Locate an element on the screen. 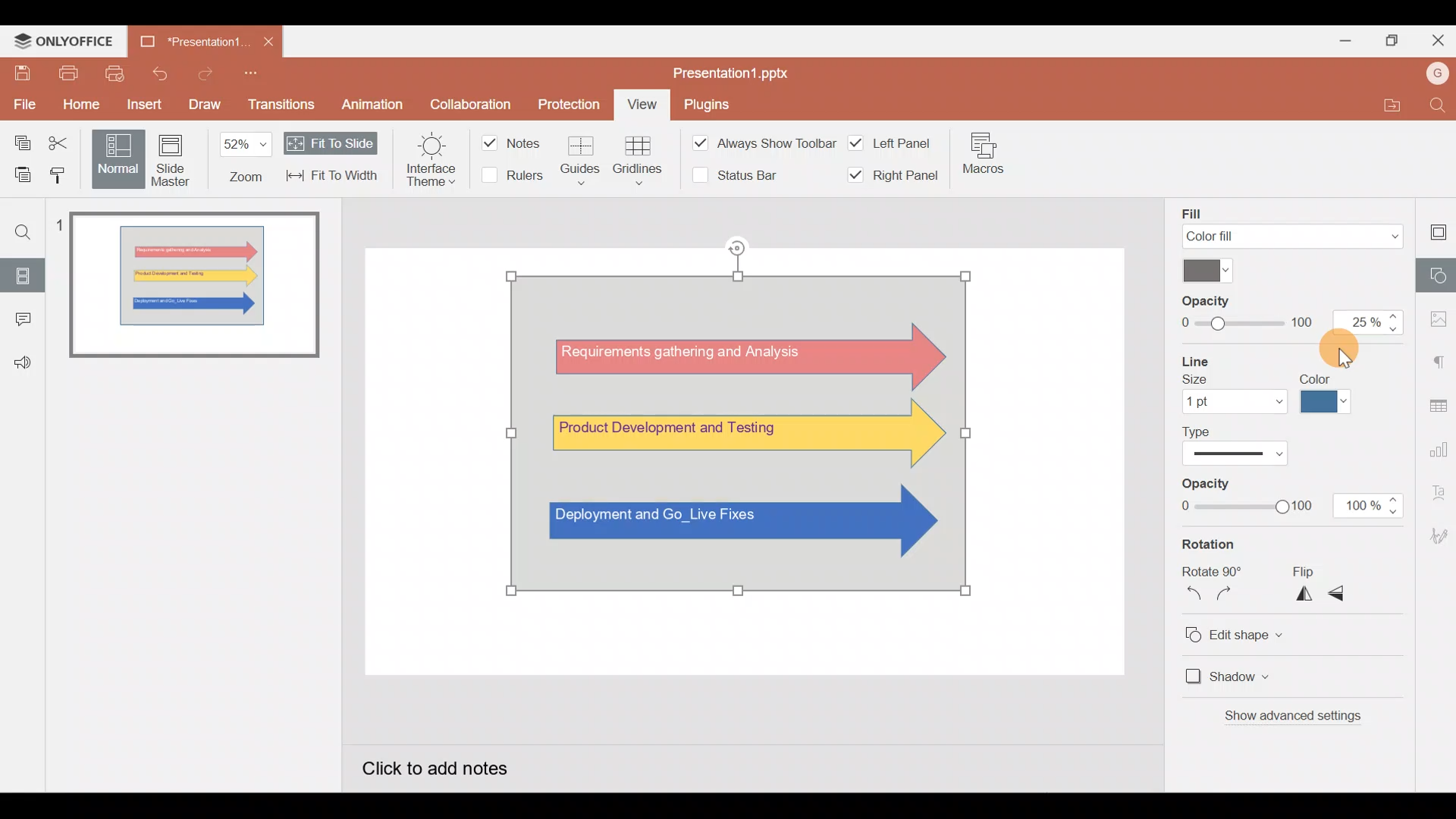 This screenshot has height=819, width=1456. Color palette is located at coordinates (1203, 270).